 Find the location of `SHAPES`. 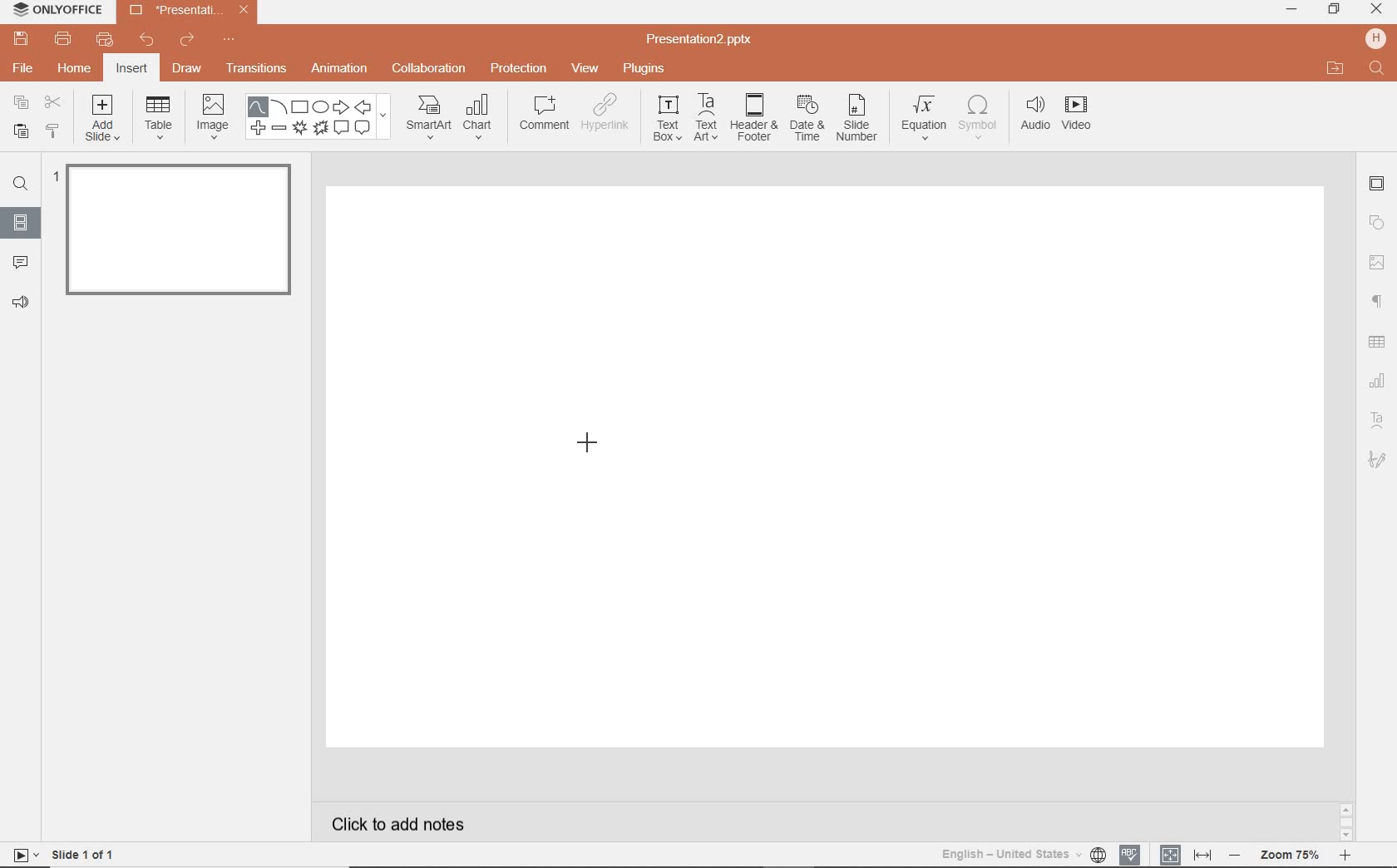

SHAPES is located at coordinates (321, 118).